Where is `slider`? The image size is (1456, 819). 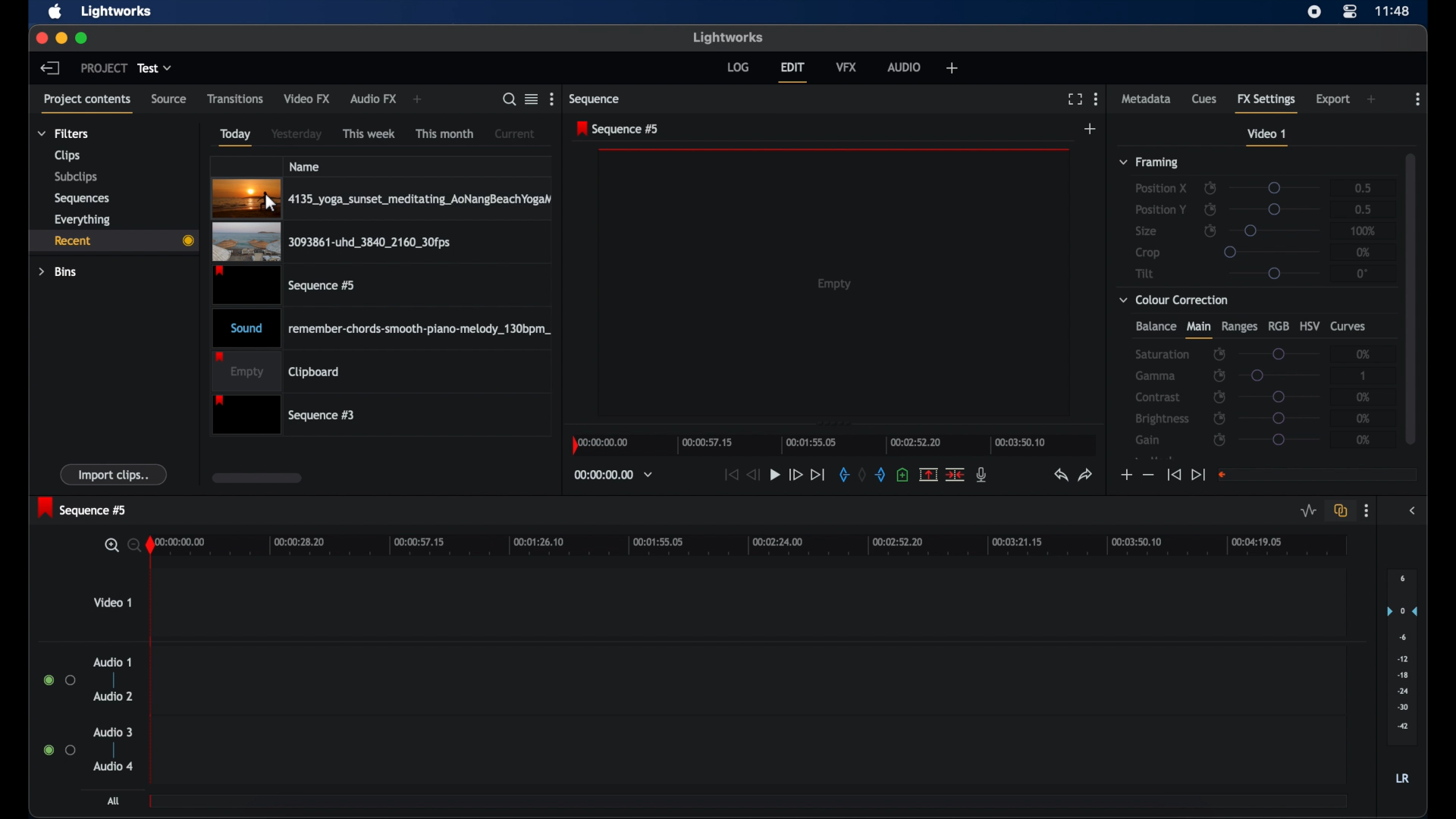
slider is located at coordinates (1280, 397).